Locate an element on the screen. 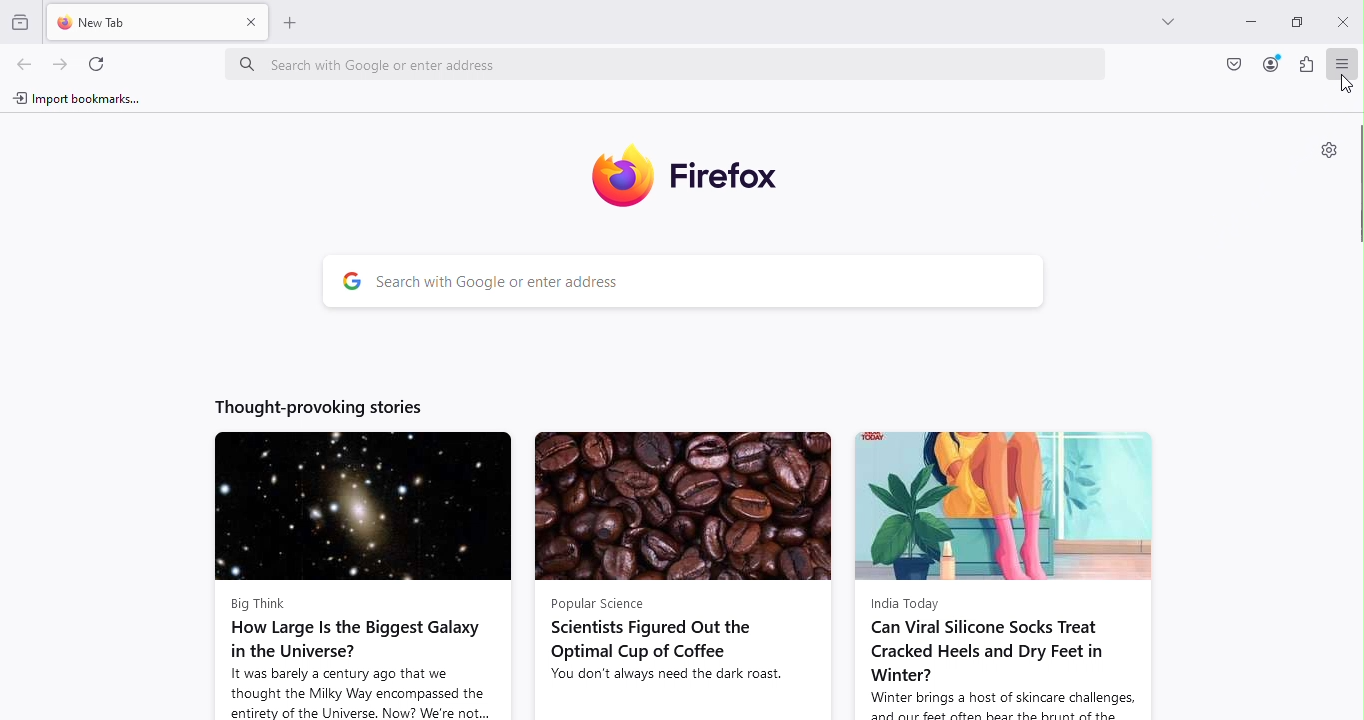 The image size is (1364, 720). List all tabs is located at coordinates (1162, 21).